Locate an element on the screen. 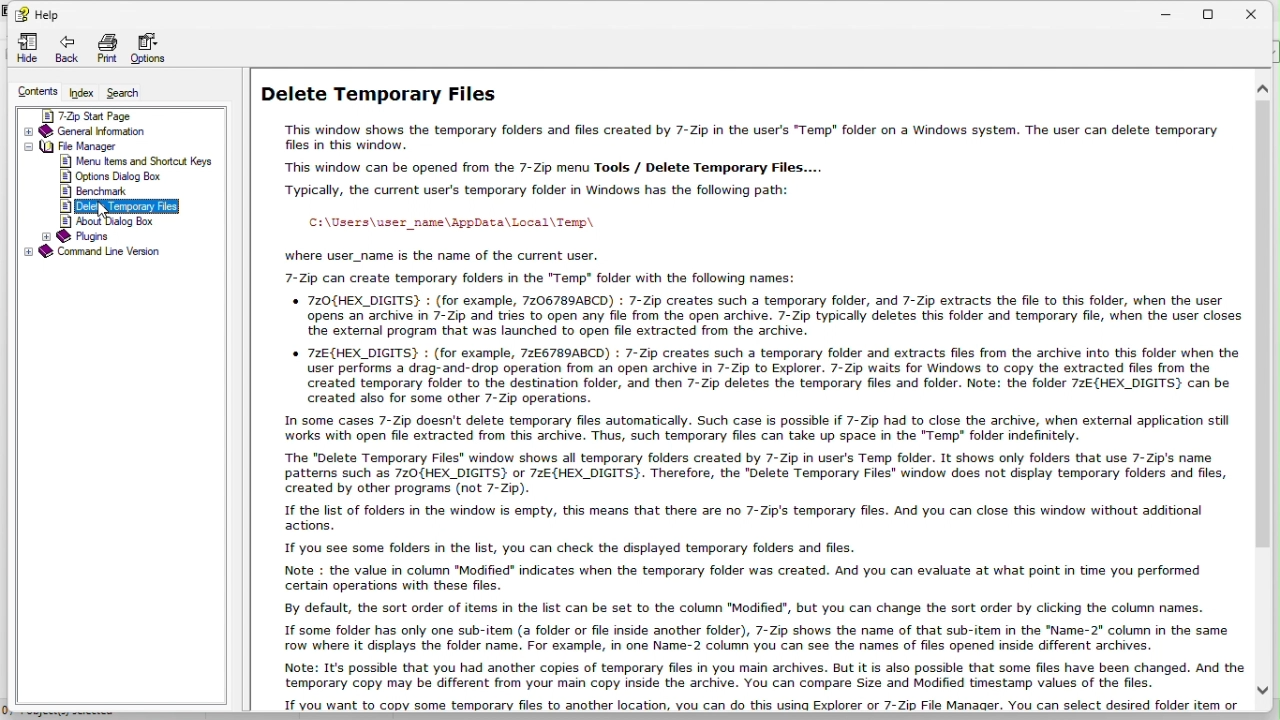 The image size is (1280, 720). General information is located at coordinates (111, 129).